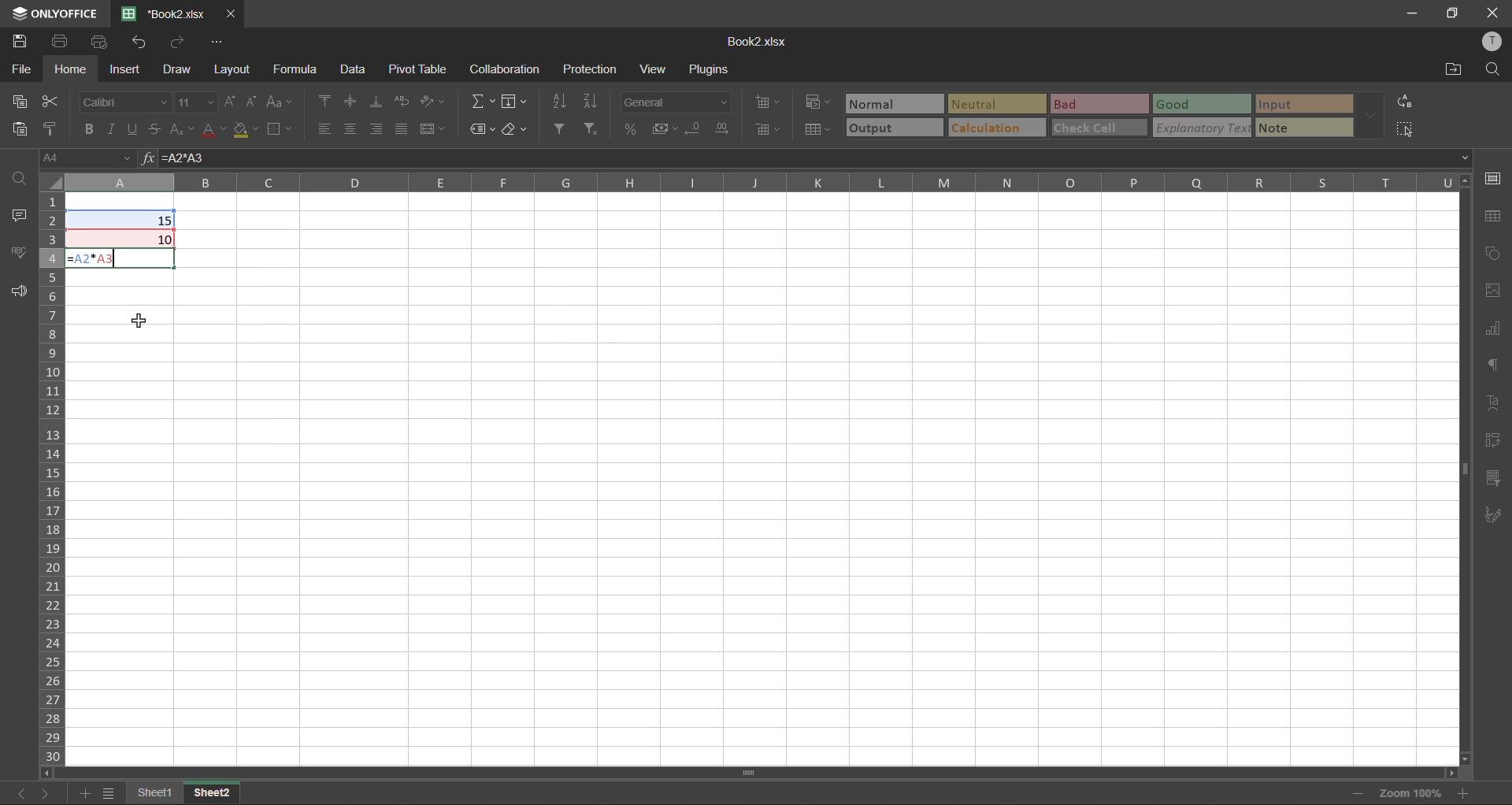 Image resolution: width=1512 pixels, height=805 pixels. I want to click on feedback, so click(21, 292).